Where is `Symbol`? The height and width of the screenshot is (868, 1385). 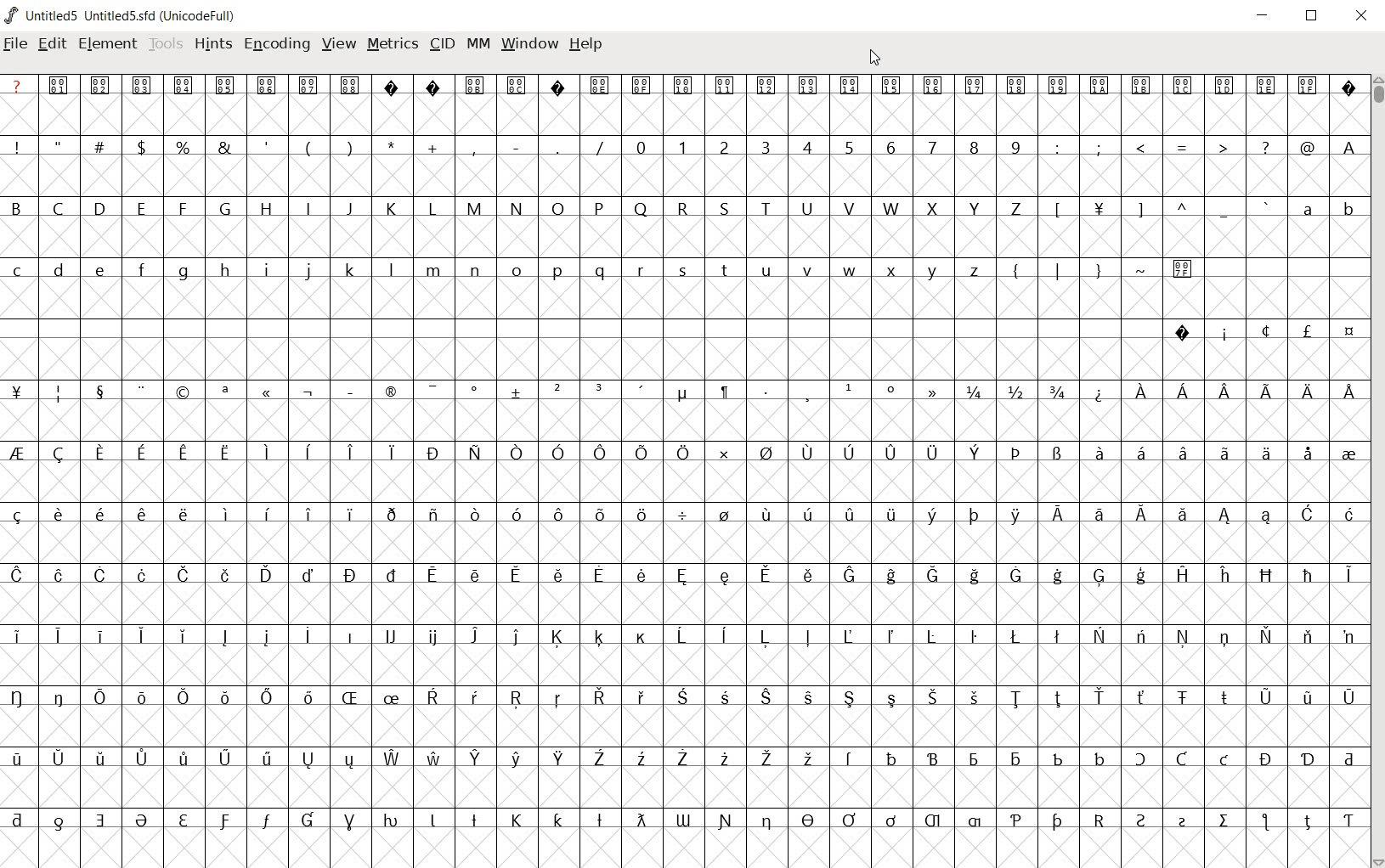
Symbol is located at coordinates (975, 821).